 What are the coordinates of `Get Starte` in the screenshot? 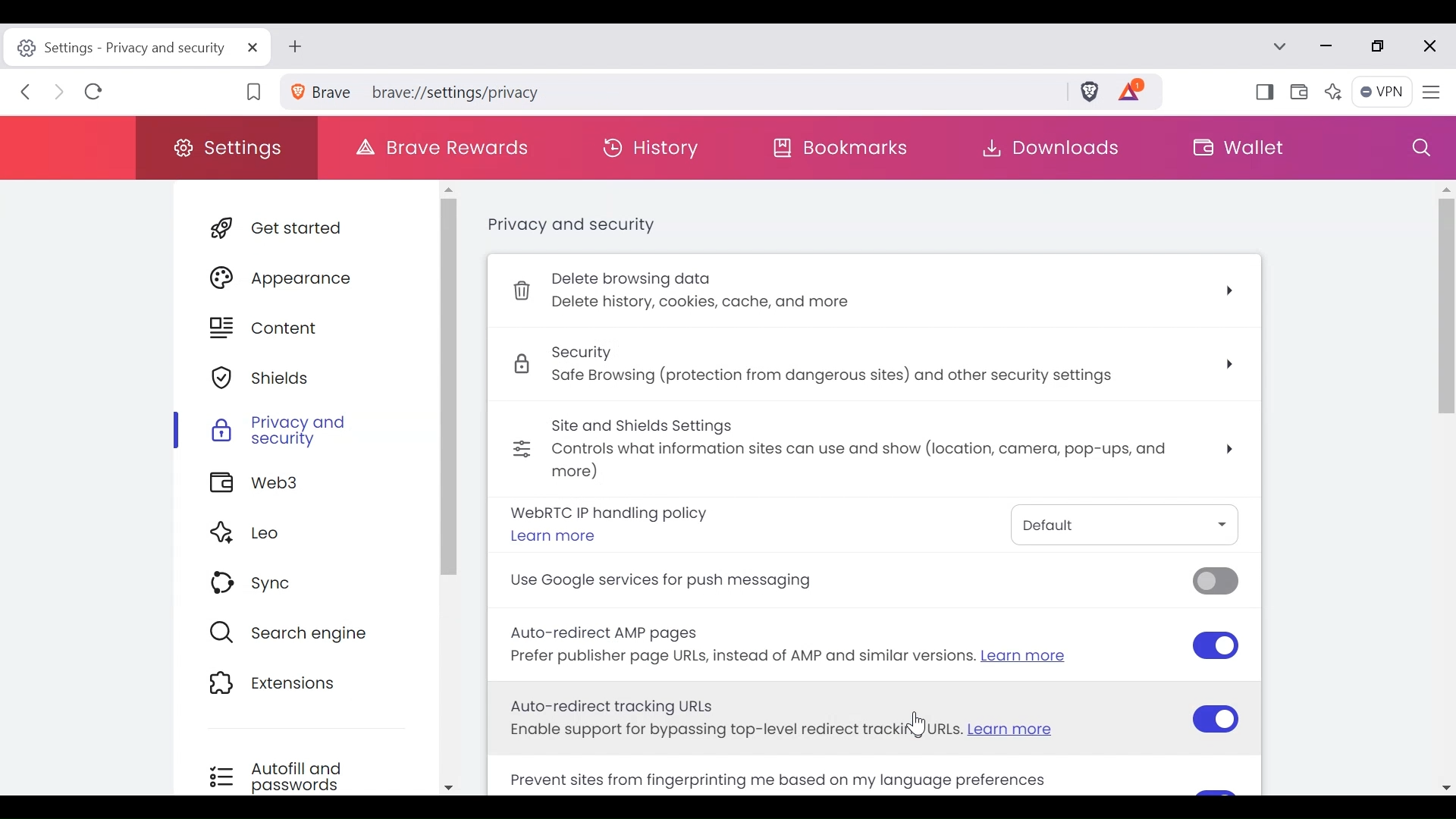 It's located at (307, 231).